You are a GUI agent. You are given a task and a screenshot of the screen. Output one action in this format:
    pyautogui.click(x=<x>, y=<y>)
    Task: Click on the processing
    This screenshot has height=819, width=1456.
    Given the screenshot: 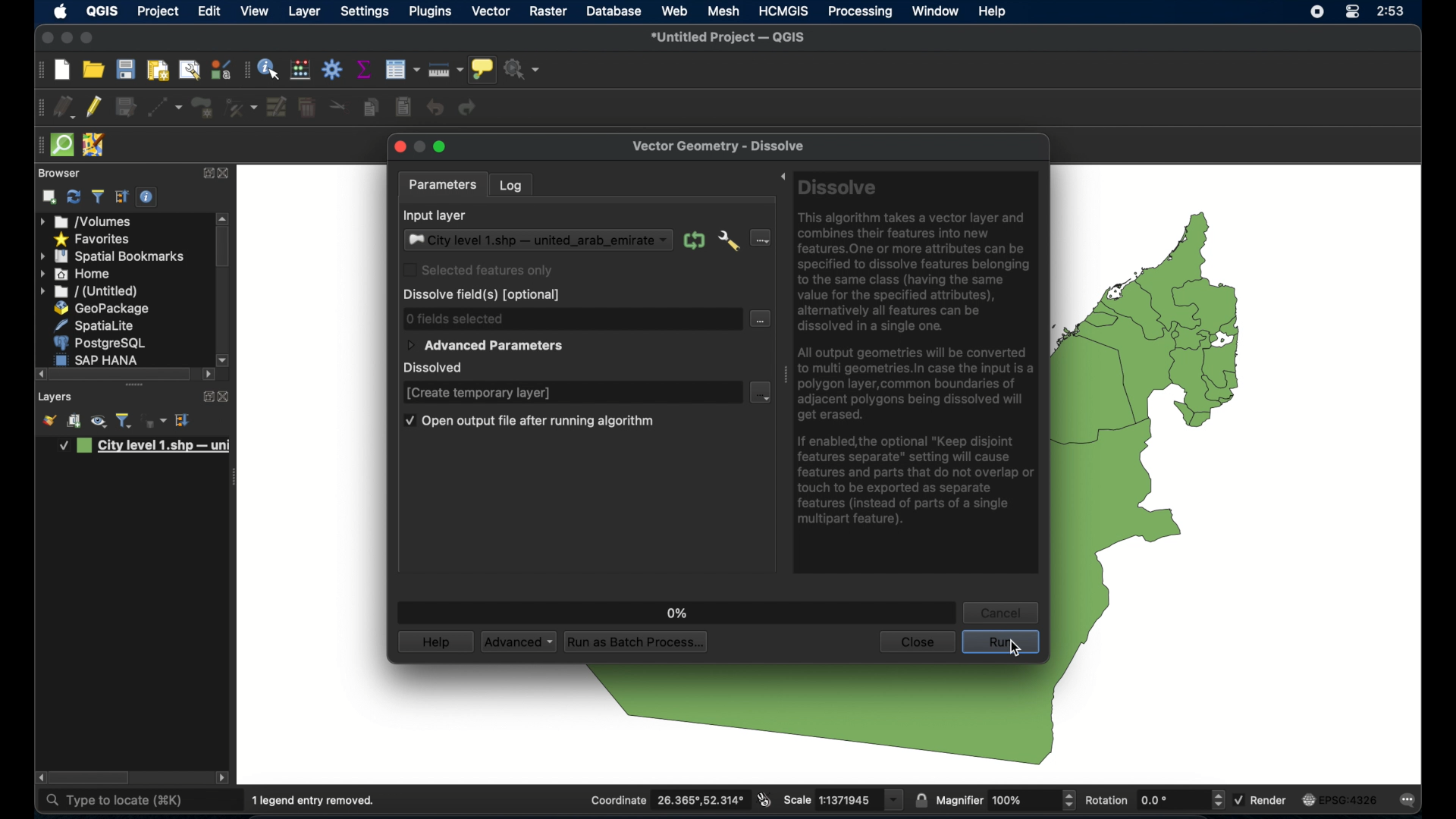 What is the action you would take?
    pyautogui.click(x=859, y=12)
    